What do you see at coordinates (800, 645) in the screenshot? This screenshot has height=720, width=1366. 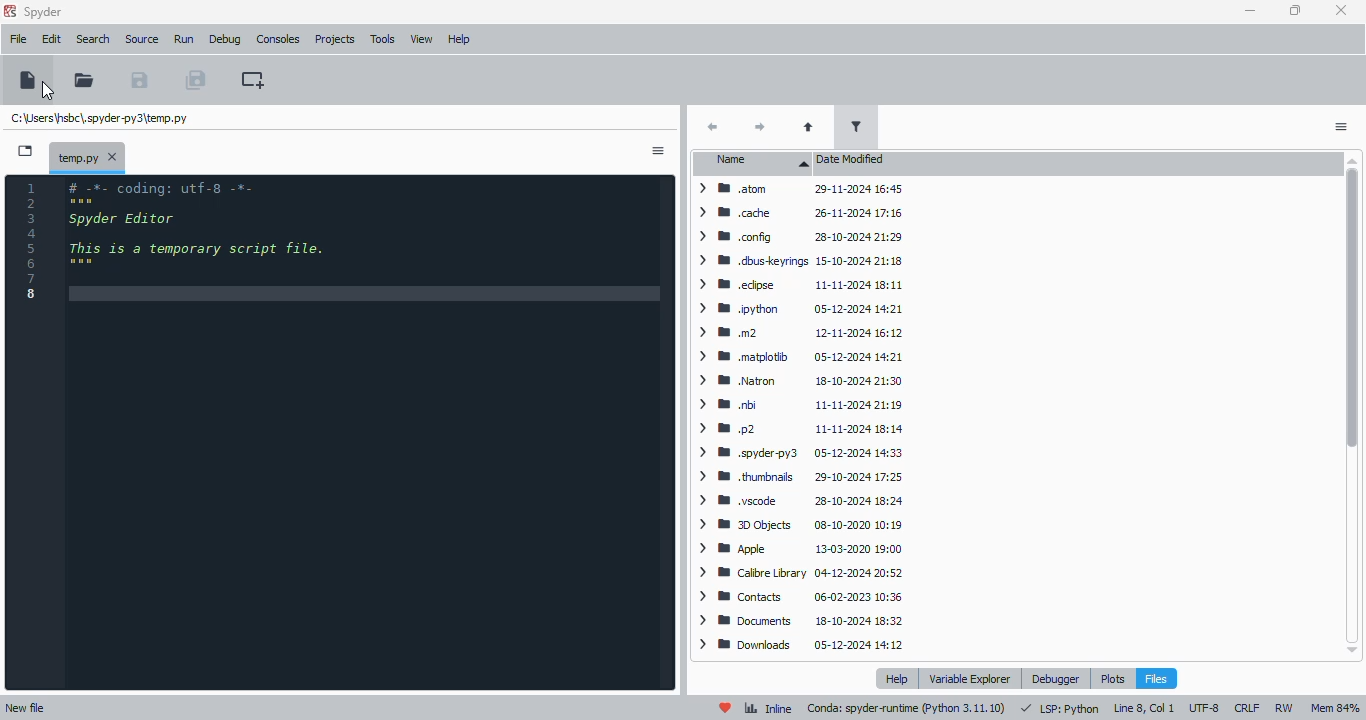 I see `> WM Downloads ~~ 05-12-2024 14:12` at bounding box center [800, 645].